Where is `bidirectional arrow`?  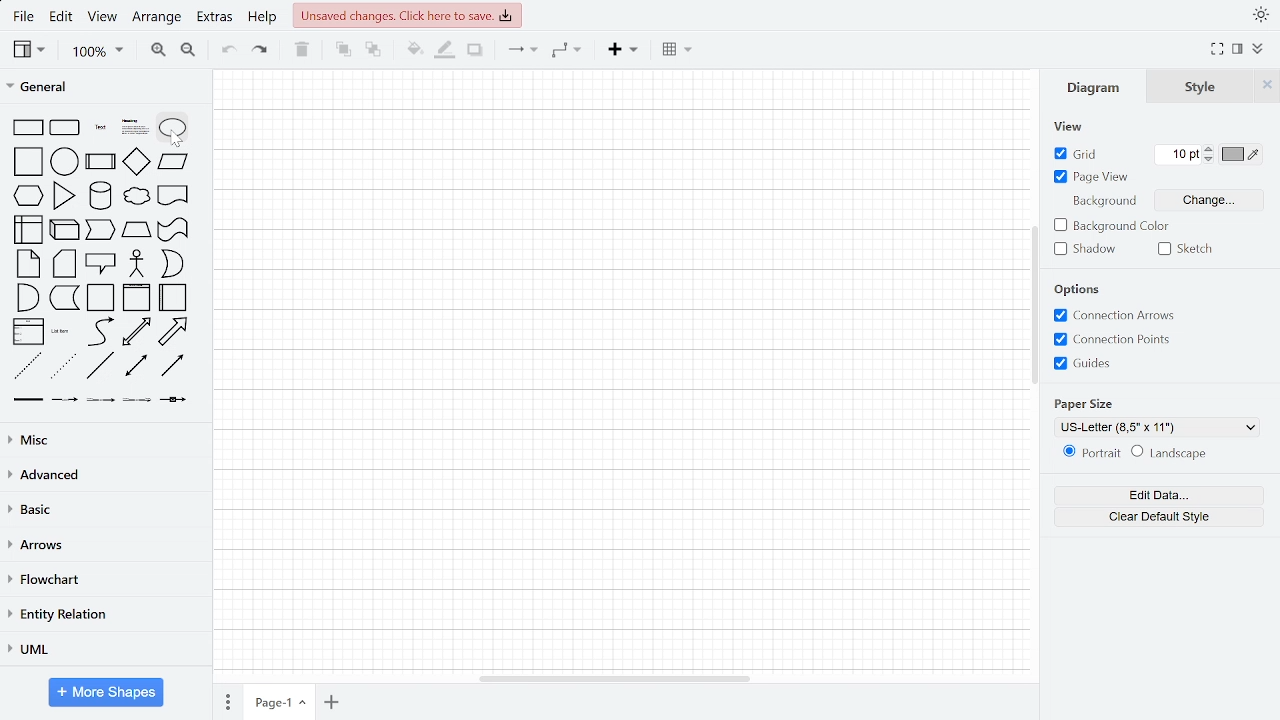
bidirectional arrow is located at coordinates (138, 333).